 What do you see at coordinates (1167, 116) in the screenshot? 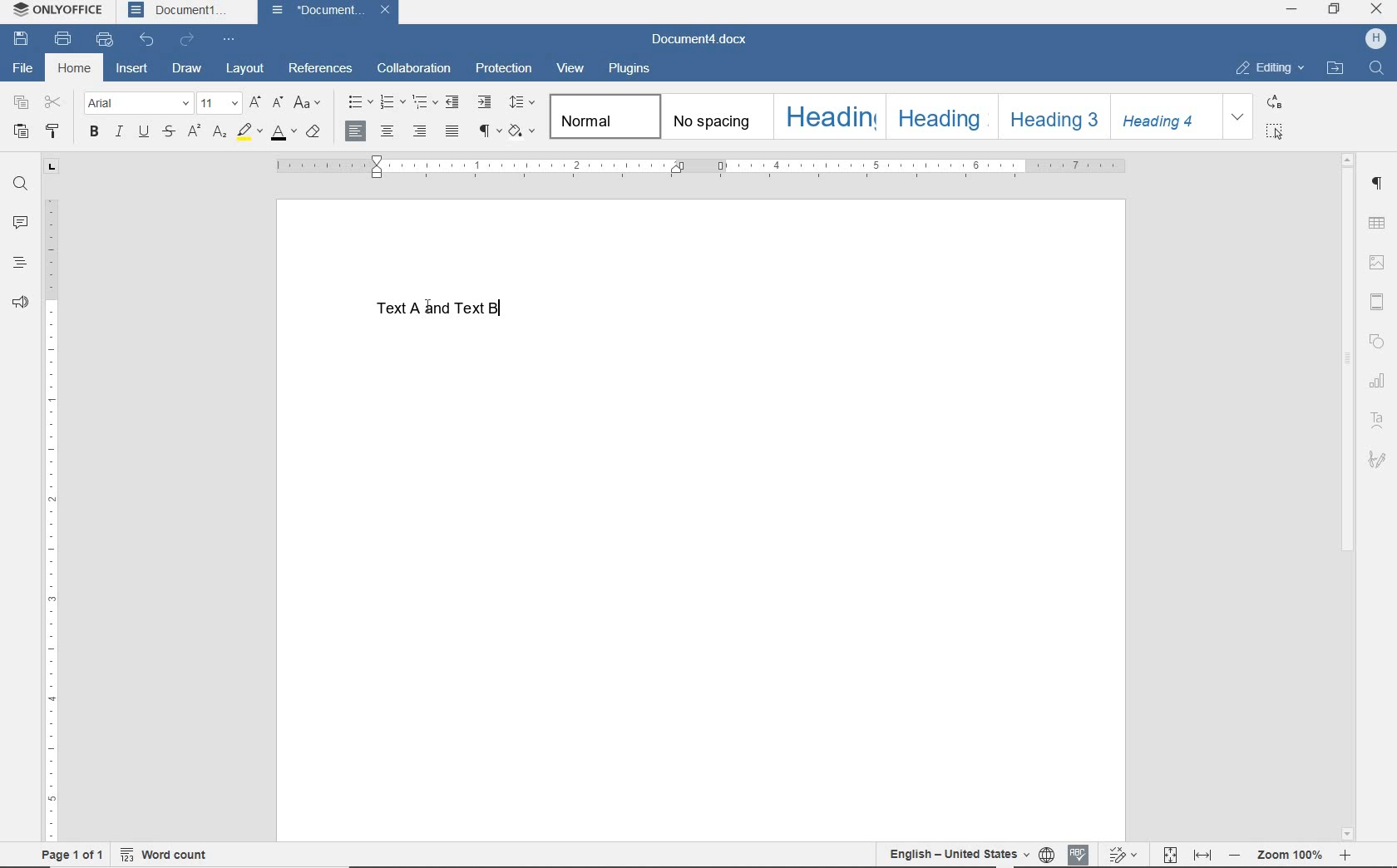
I see `HEADING 4` at bounding box center [1167, 116].